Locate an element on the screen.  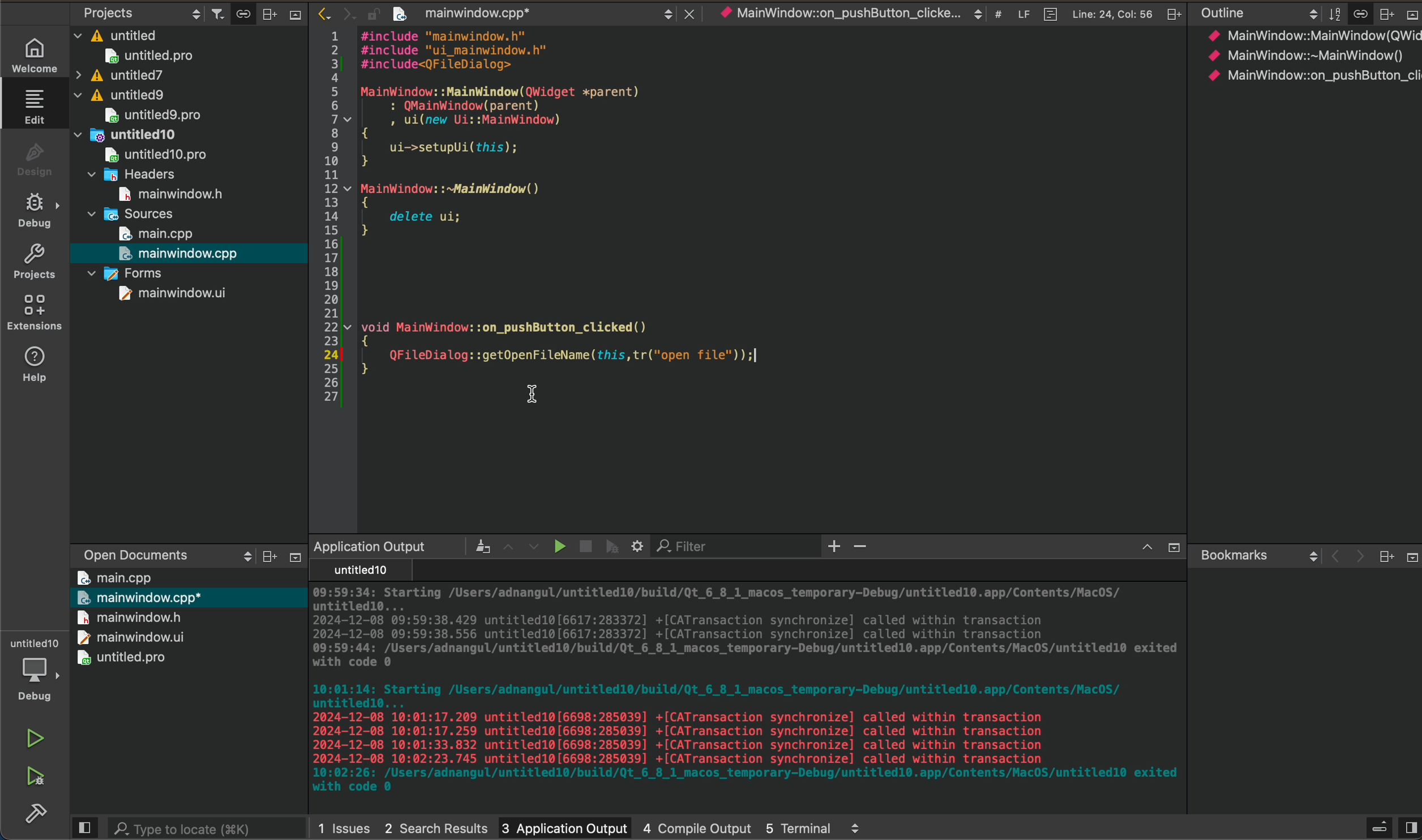
down is located at coordinates (534, 547).